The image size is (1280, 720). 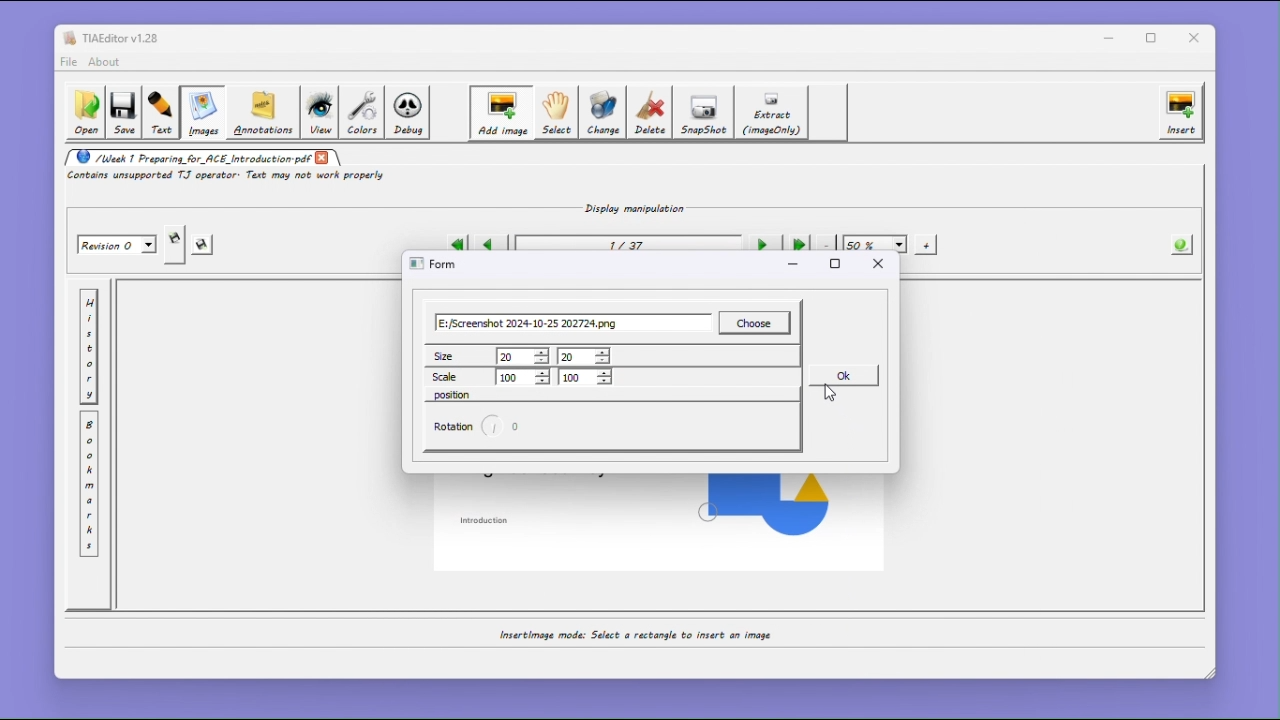 I want to click on file, so click(x=68, y=62).